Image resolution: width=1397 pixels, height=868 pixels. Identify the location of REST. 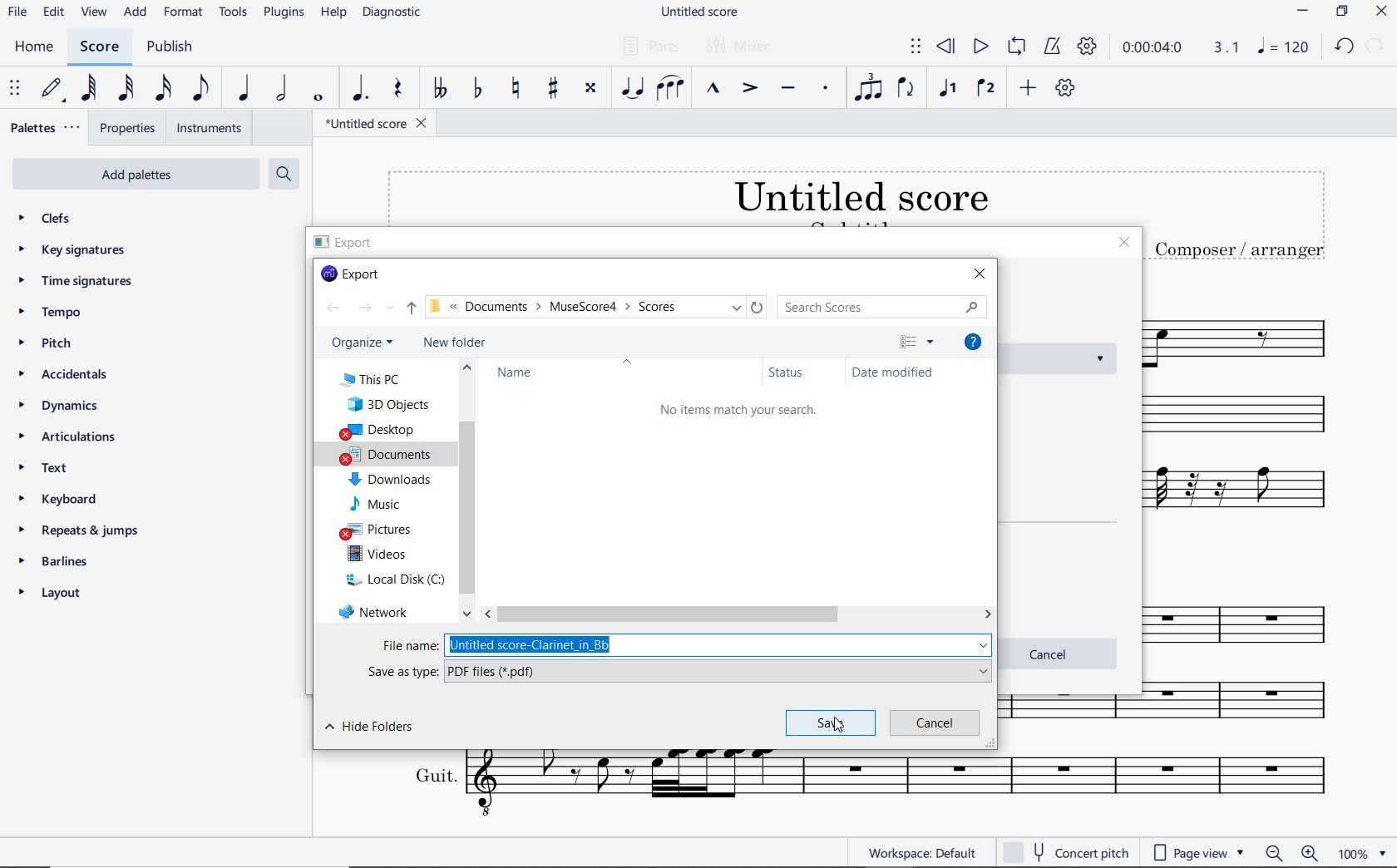
(397, 89).